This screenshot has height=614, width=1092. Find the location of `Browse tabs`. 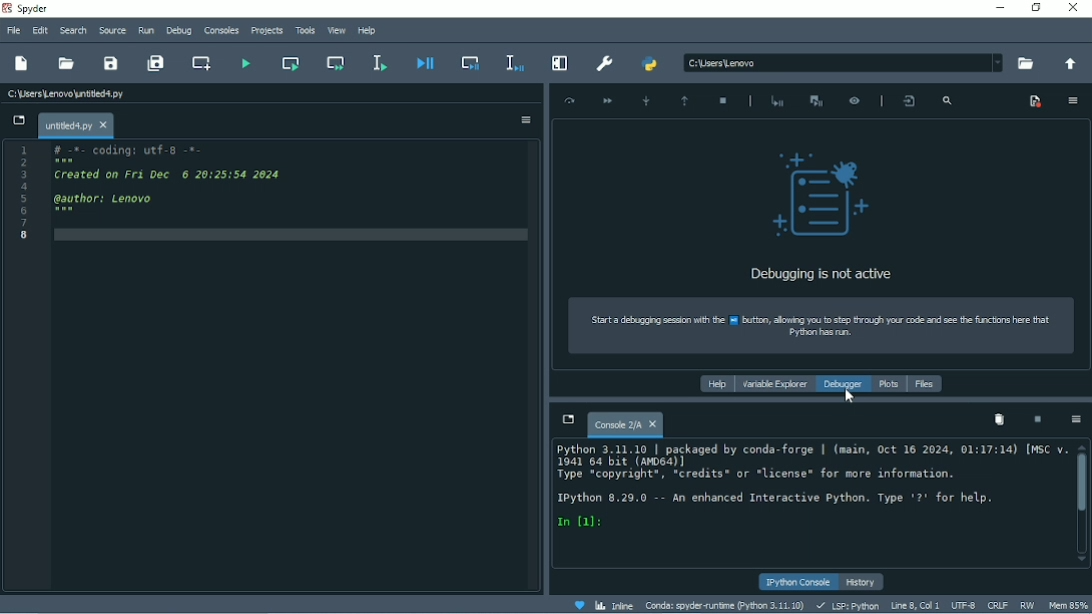

Browse tabs is located at coordinates (567, 421).